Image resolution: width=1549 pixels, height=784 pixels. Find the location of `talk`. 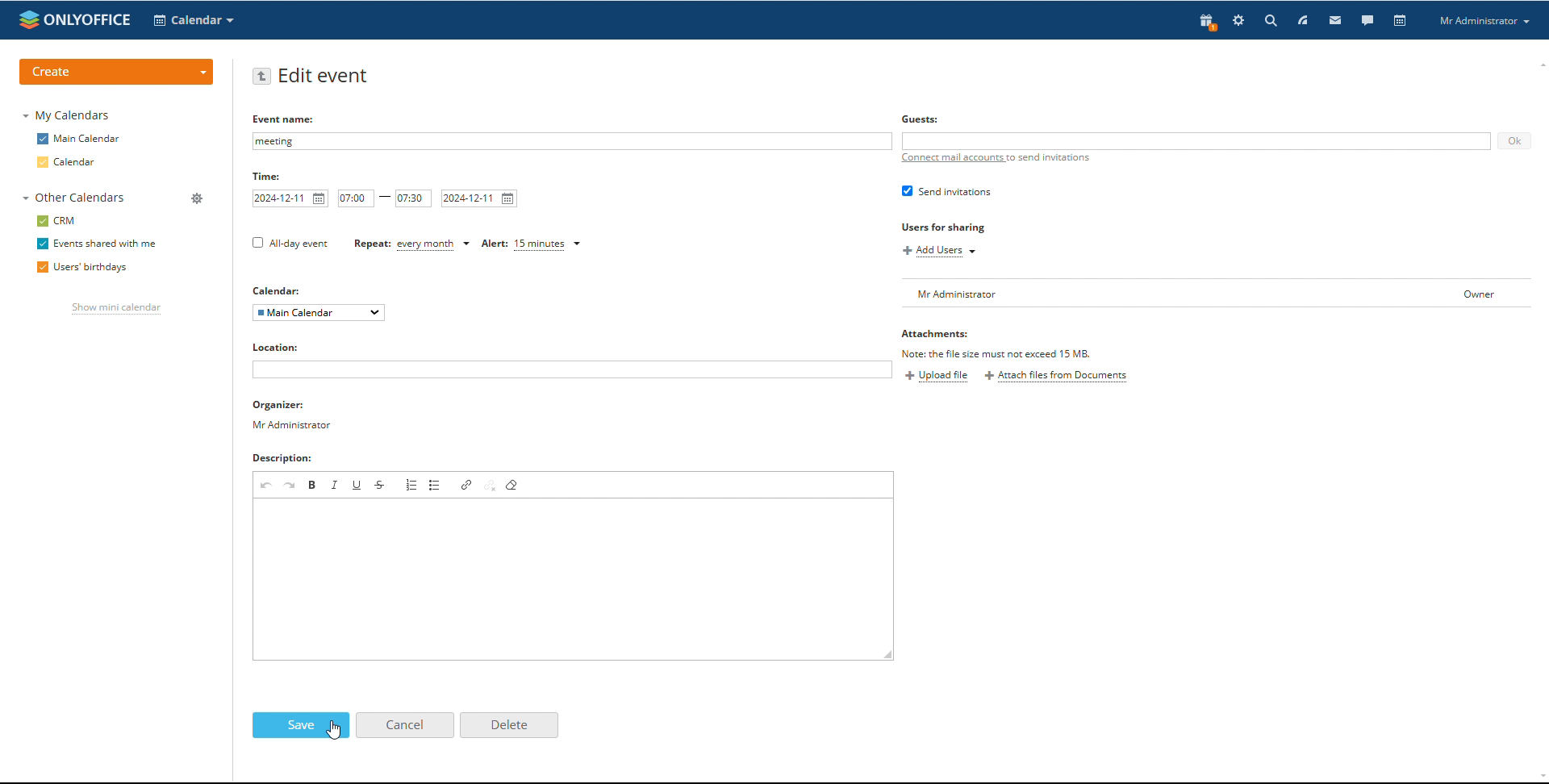

talk is located at coordinates (1367, 21).